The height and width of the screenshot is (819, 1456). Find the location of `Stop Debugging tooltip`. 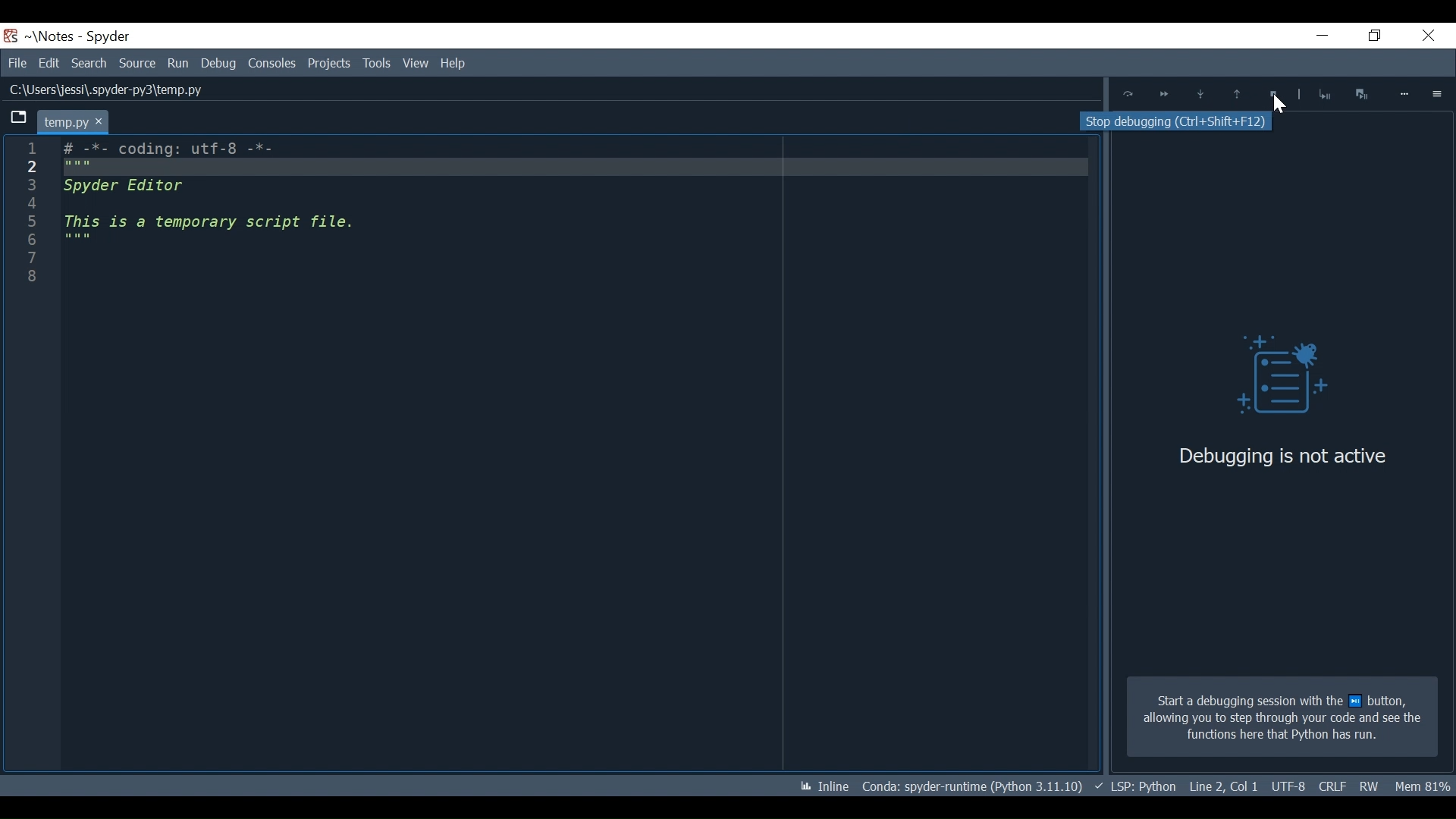

Stop Debugging tooltip is located at coordinates (1182, 124).